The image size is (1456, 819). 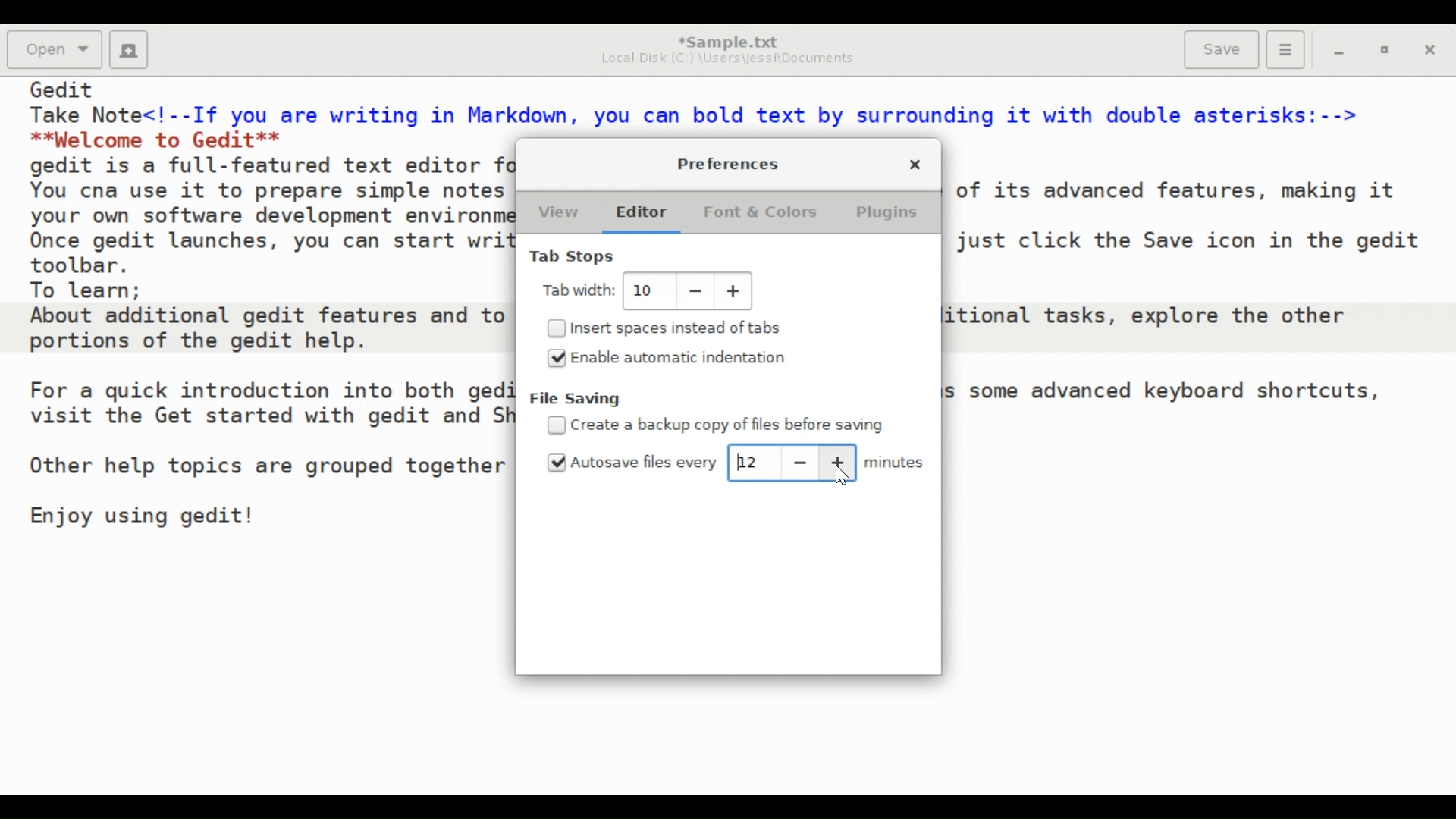 I want to click on Tab Stops, so click(x=573, y=258).